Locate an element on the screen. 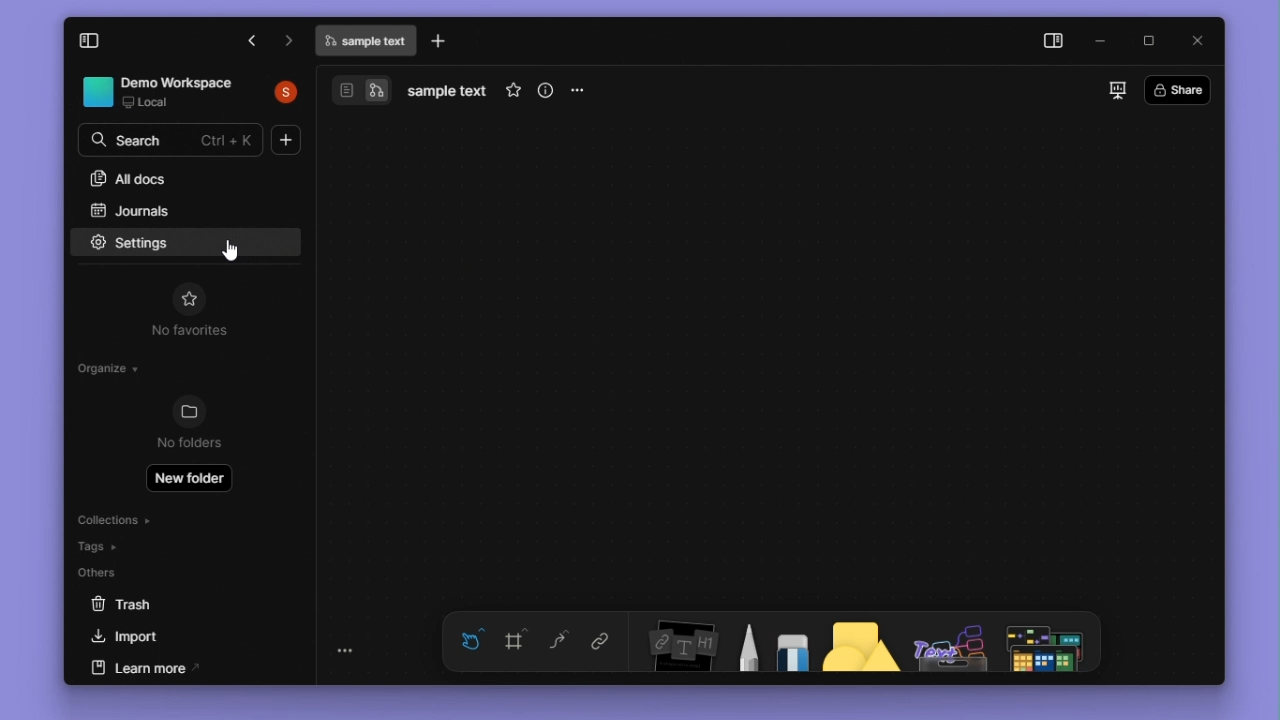 Image resolution: width=1280 pixels, height=720 pixels. hand is located at coordinates (467, 641).